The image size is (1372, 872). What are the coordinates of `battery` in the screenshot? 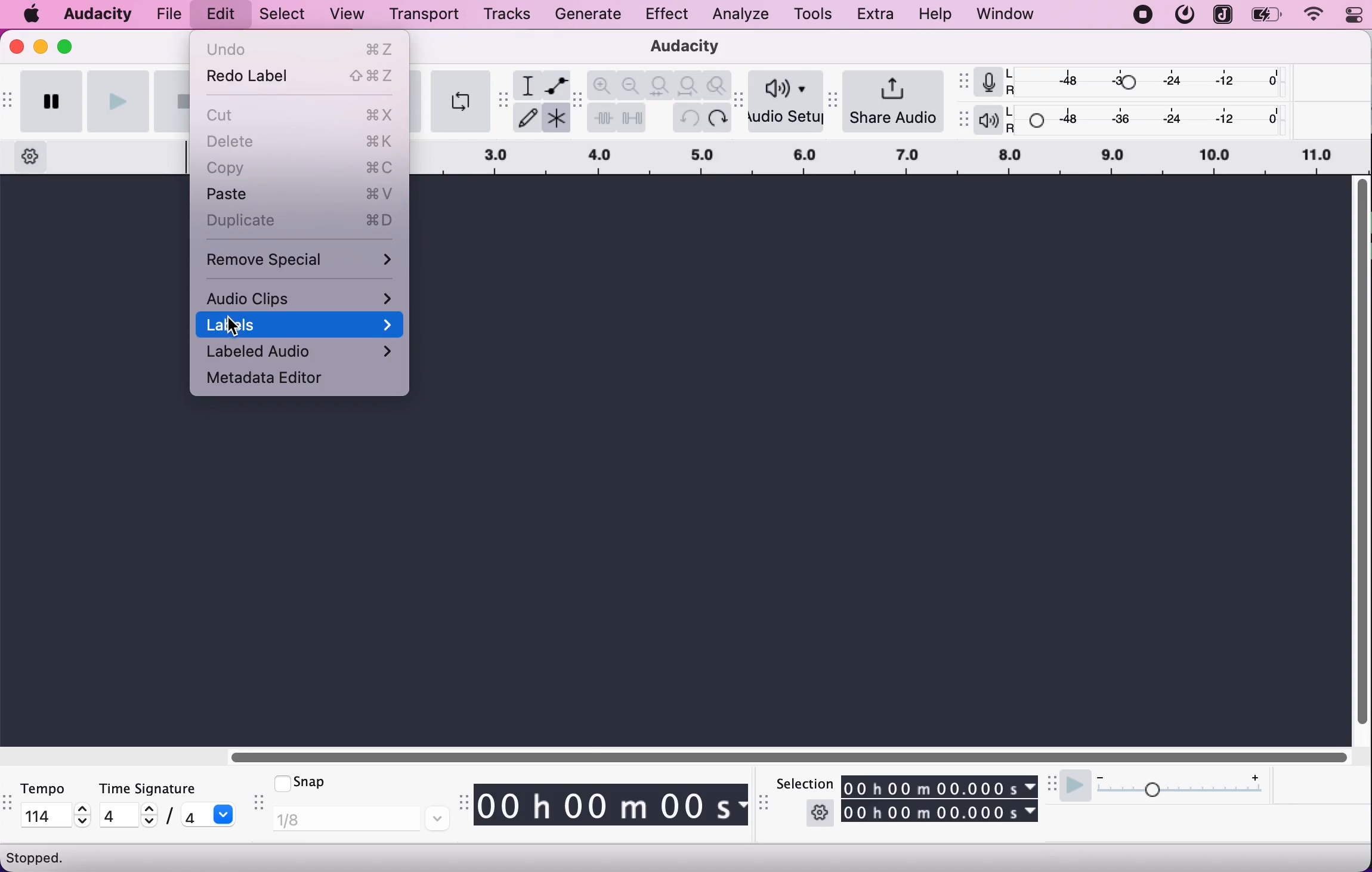 It's located at (1268, 15).